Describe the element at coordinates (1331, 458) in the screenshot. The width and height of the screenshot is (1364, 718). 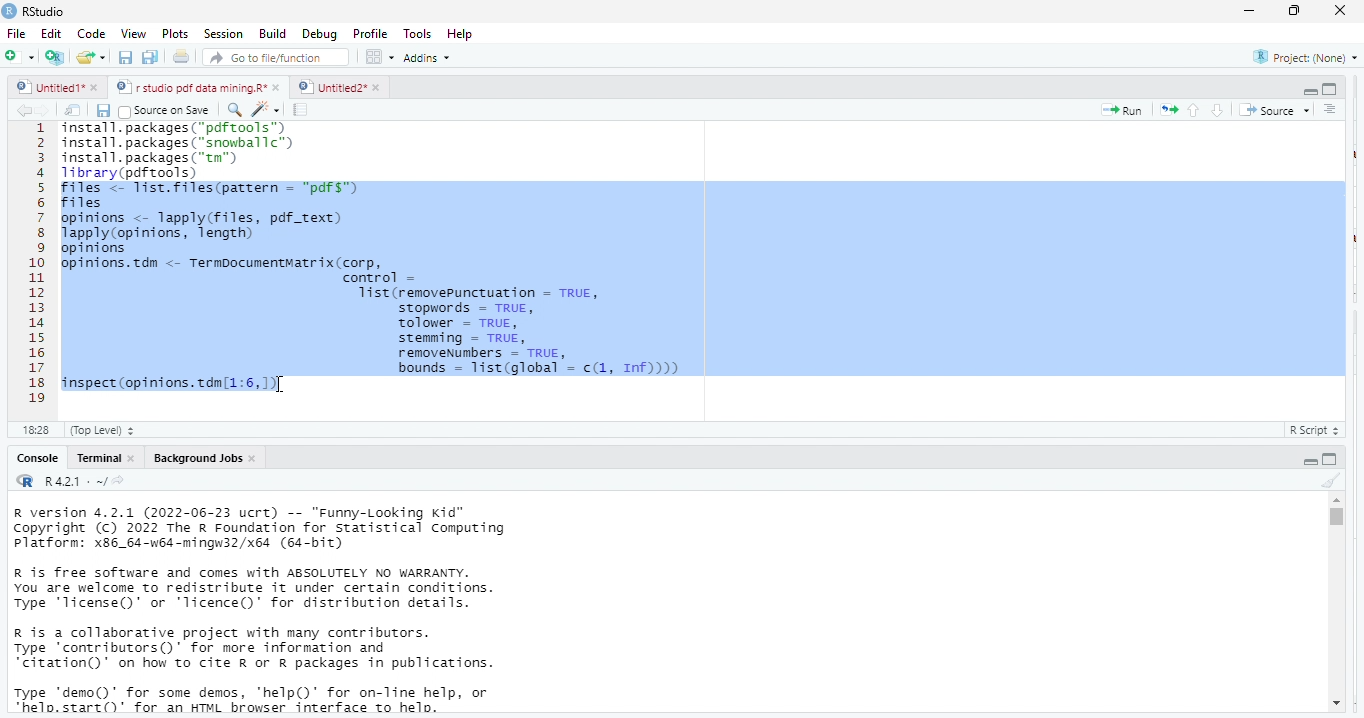
I see `hide console` at that location.